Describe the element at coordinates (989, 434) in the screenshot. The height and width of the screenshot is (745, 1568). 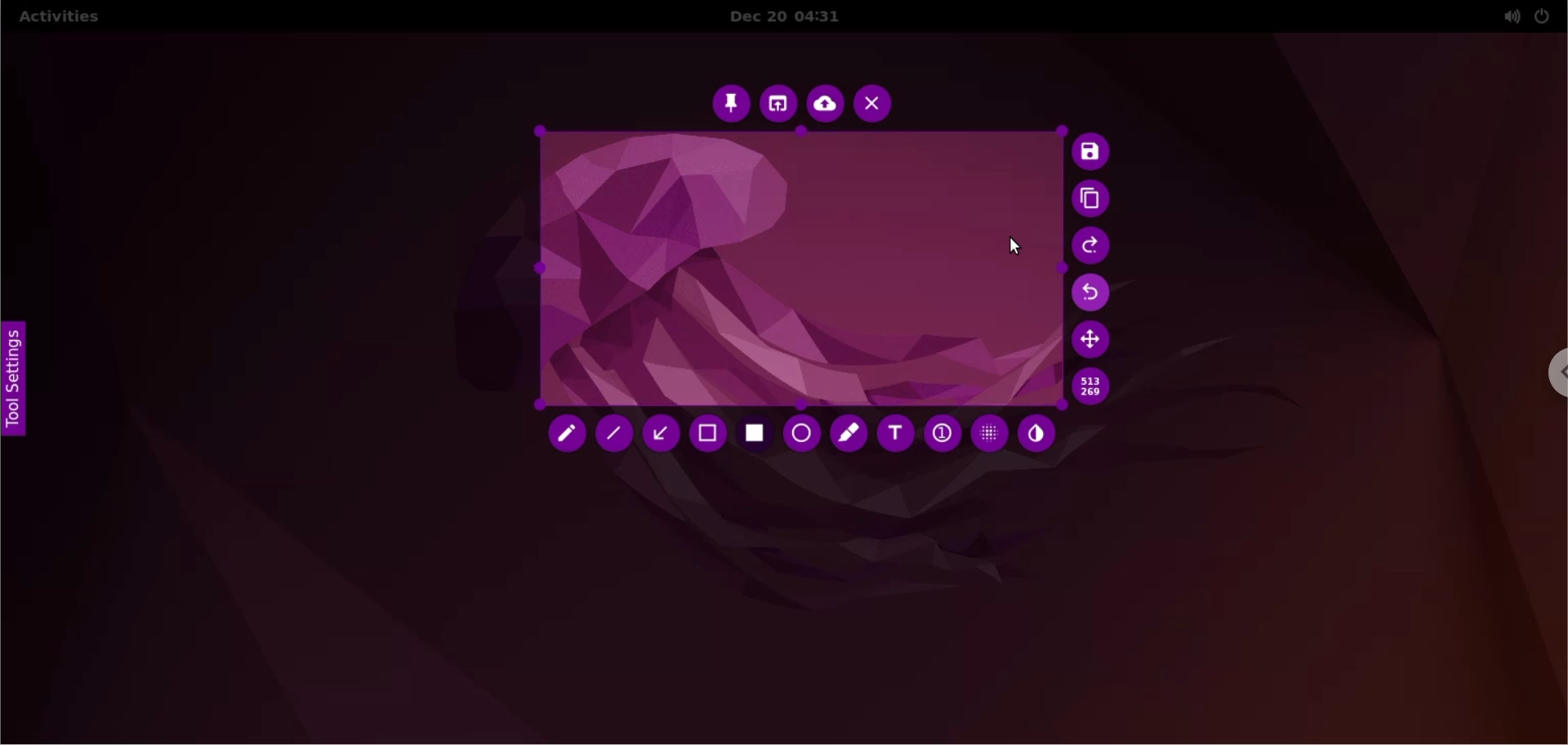
I see `pixelette` at that location.